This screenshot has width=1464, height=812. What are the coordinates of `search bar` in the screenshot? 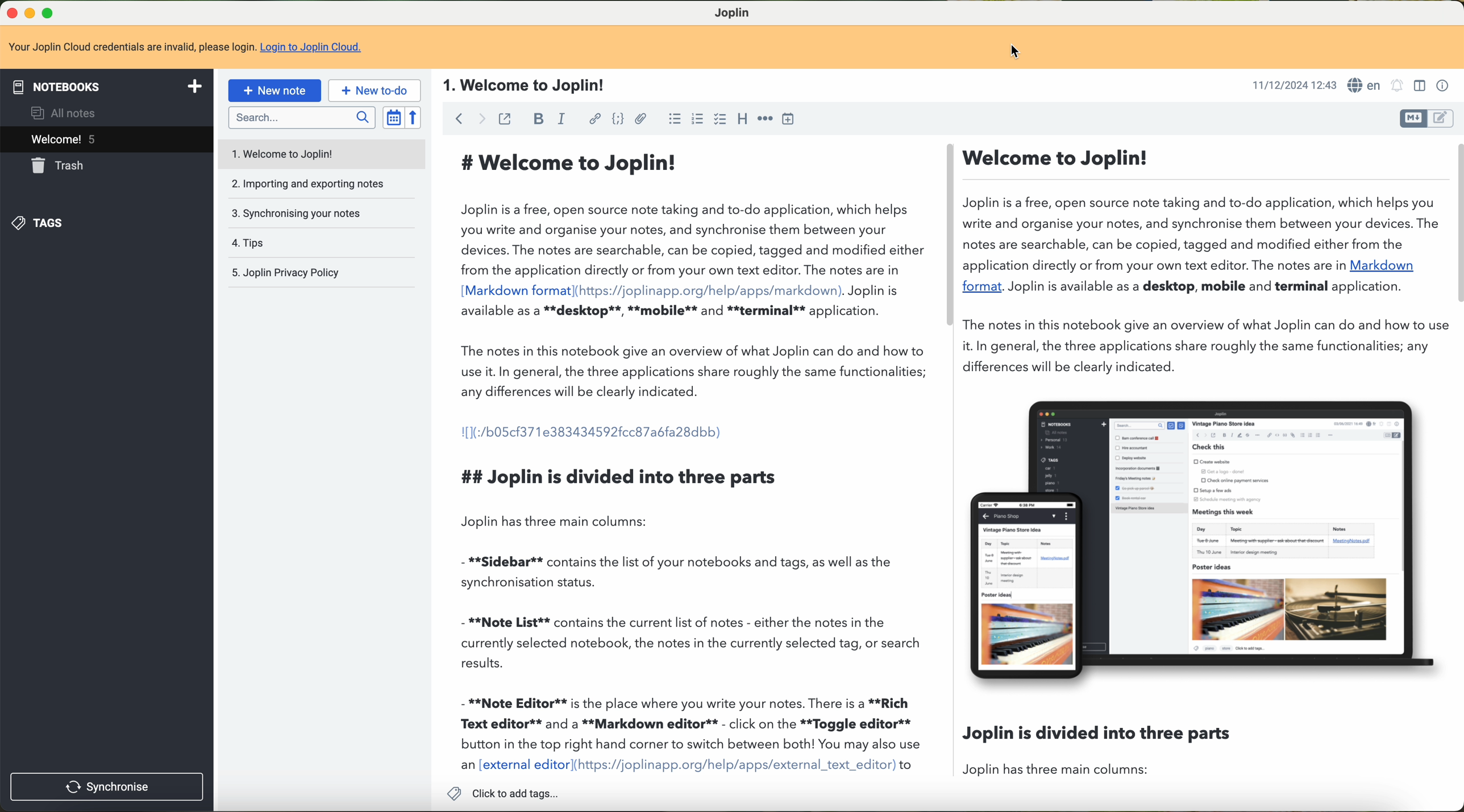 It's located at (298, 118).